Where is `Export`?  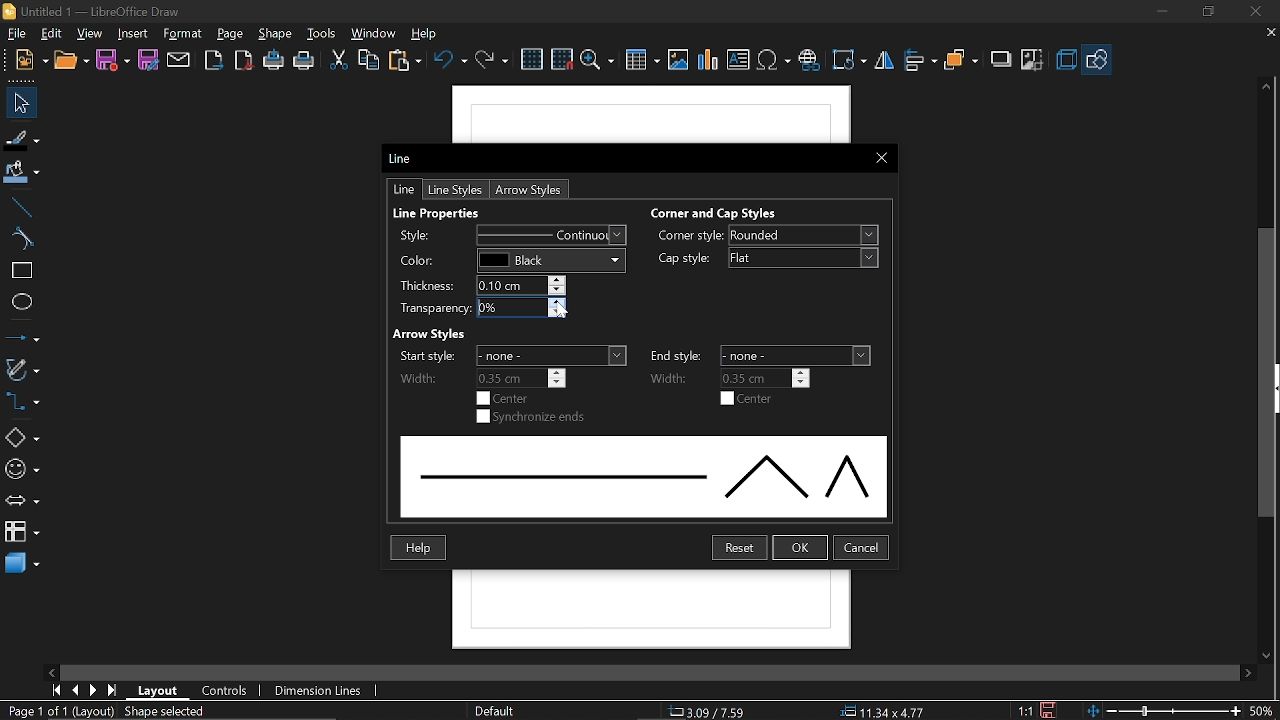 Export is located at coordinates (214, 60).